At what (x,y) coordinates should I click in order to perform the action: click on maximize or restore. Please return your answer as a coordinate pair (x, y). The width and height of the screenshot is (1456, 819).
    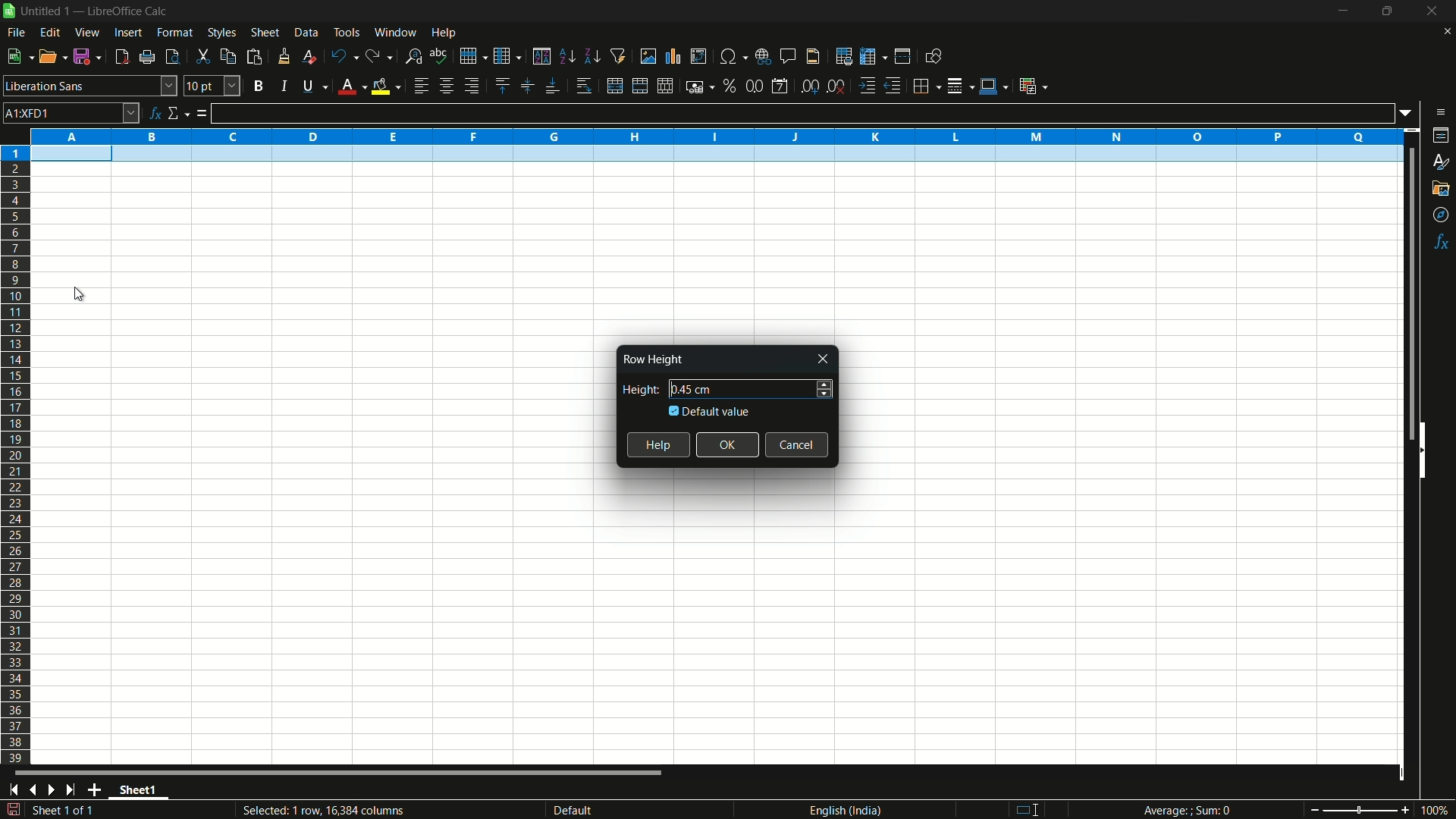
    Looking at the image, I should click on (1387, 11).